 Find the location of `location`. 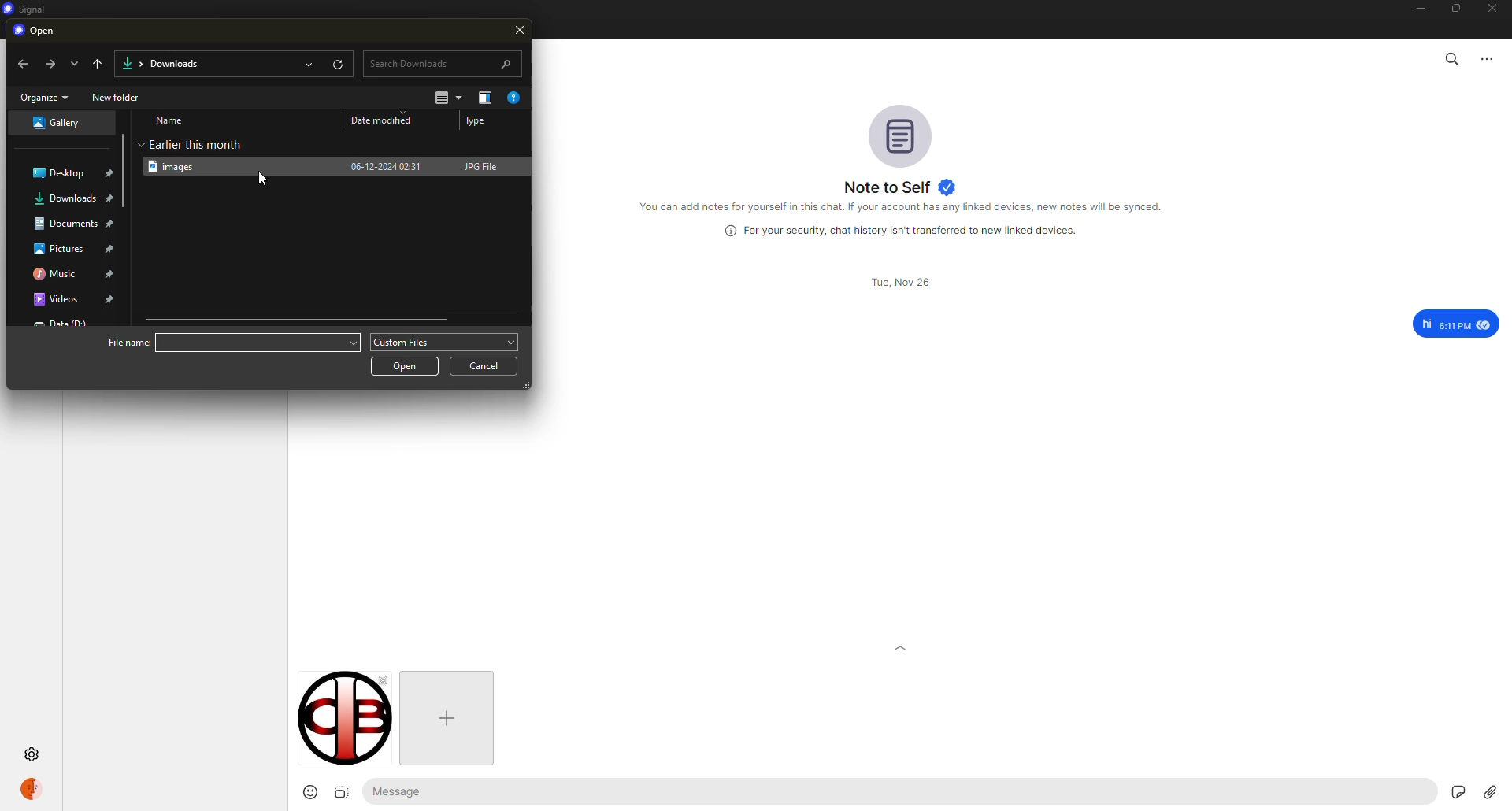

location is located at coordinates (61, 171).